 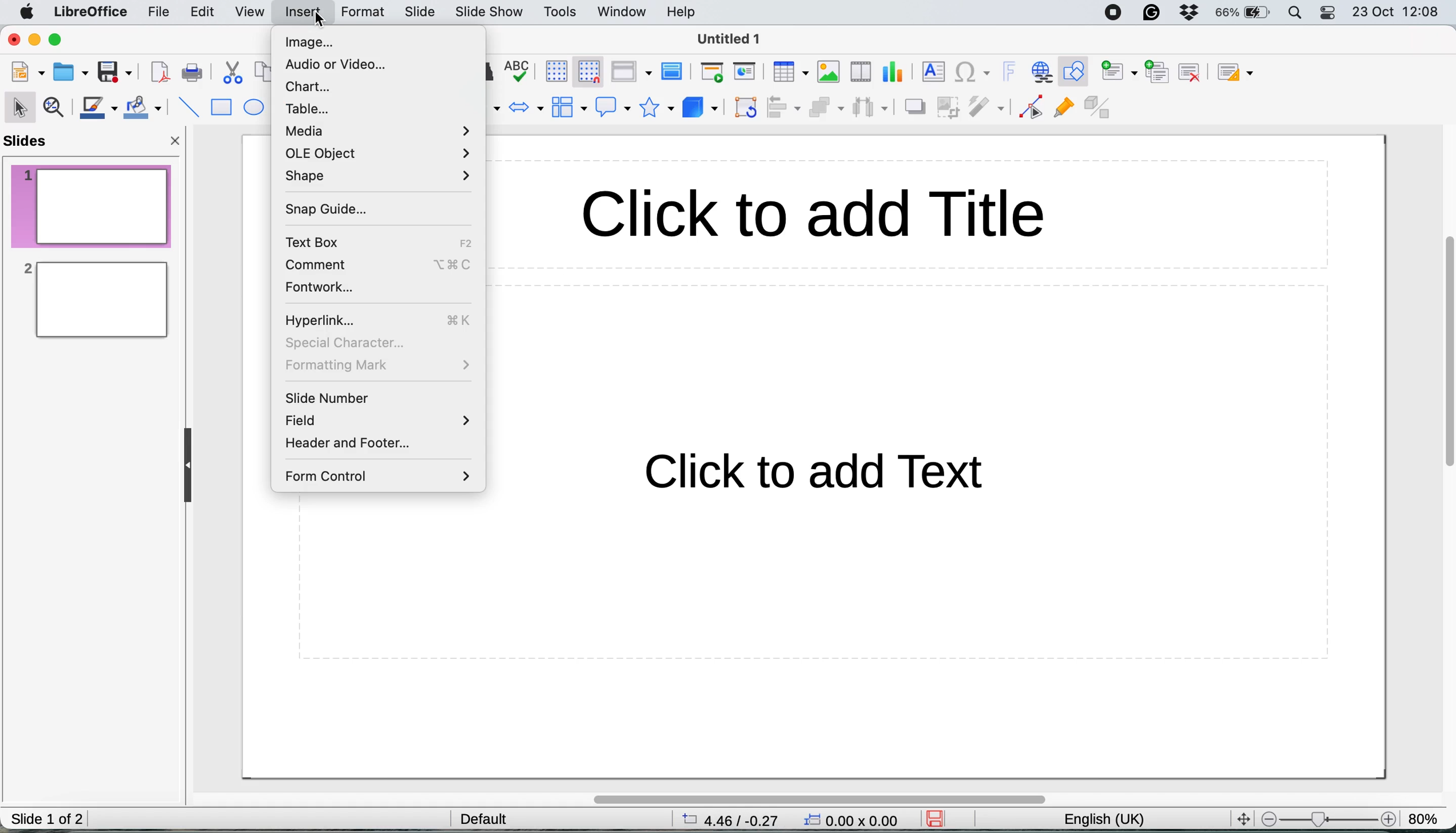 I want to click on slide 2, so click(x=93, y=300).